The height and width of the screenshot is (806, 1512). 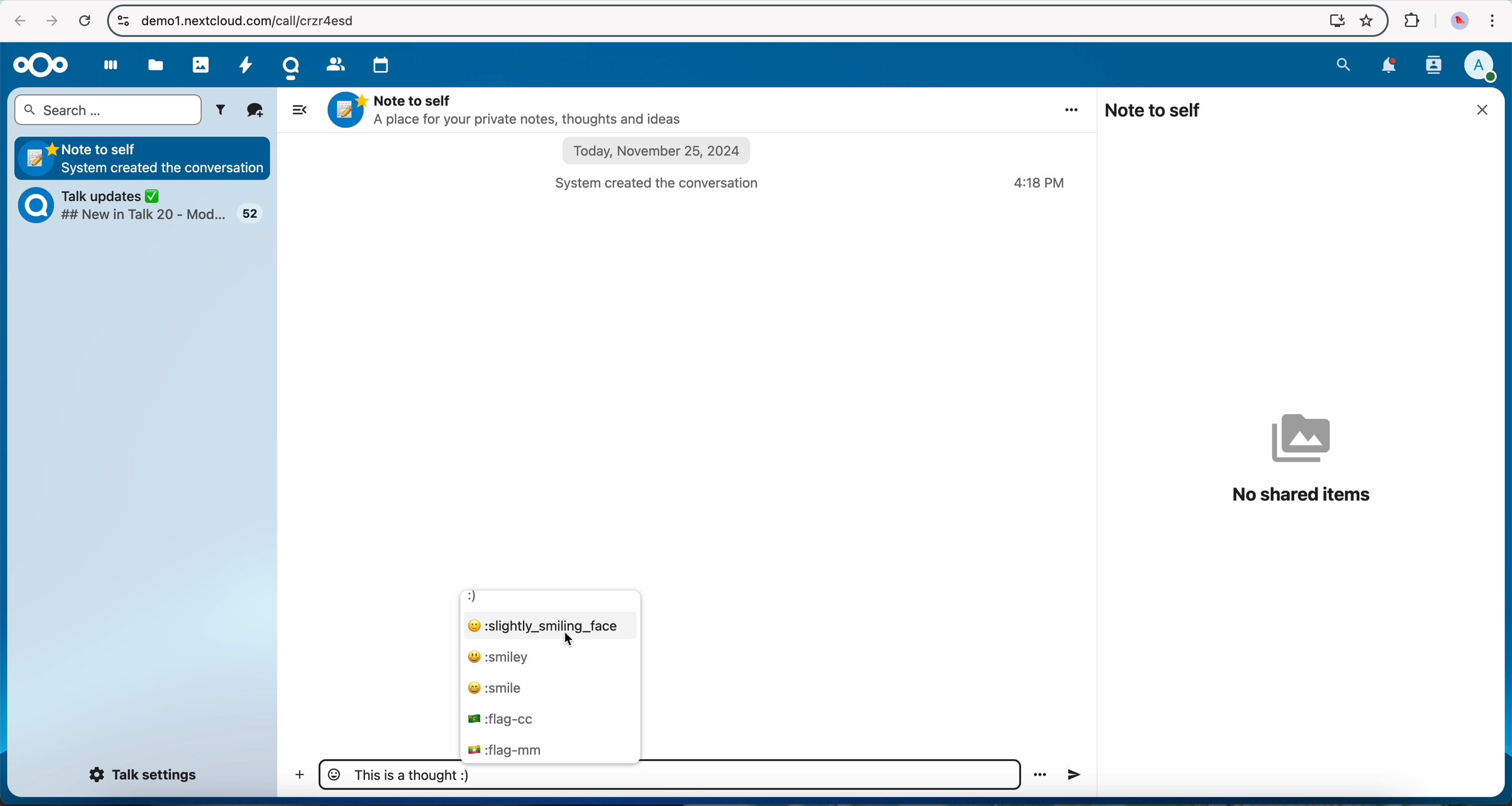 I want to click on contacts, so click(x=1435, y=66).